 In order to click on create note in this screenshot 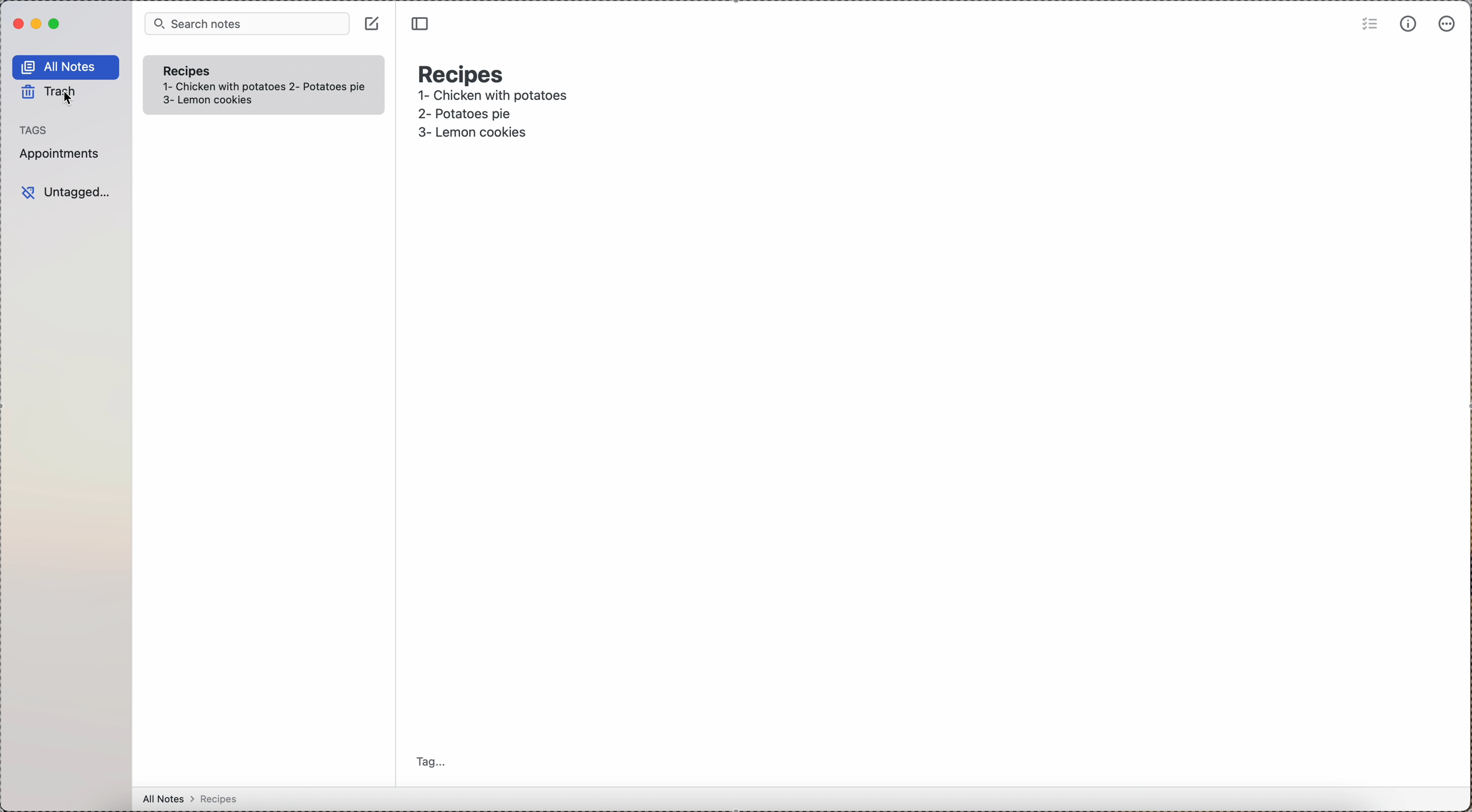, I will do `click(373, 25)`.